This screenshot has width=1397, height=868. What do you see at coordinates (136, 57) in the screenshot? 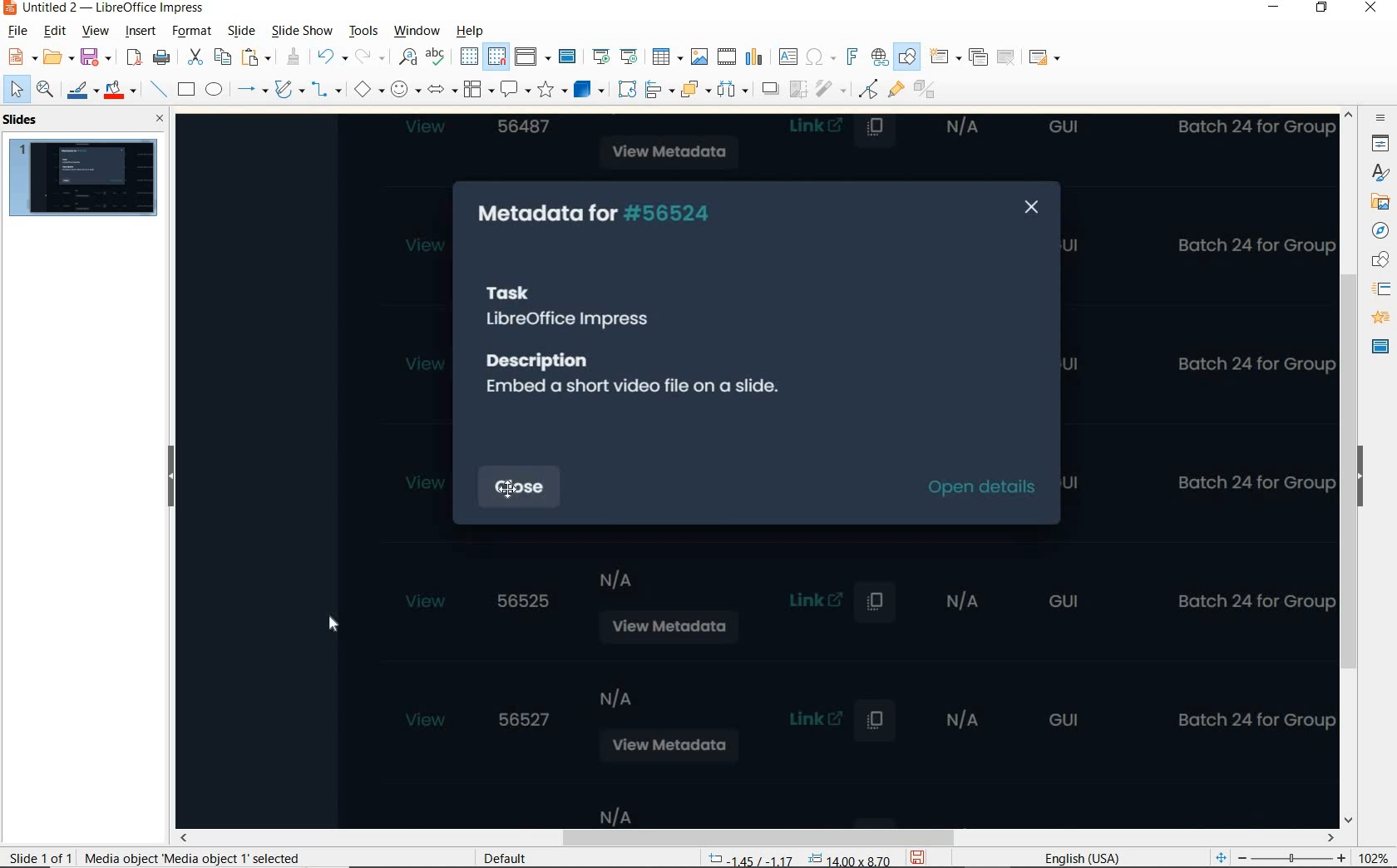
I see `EXPORT AS PDF` at bounding box center [136, 57].